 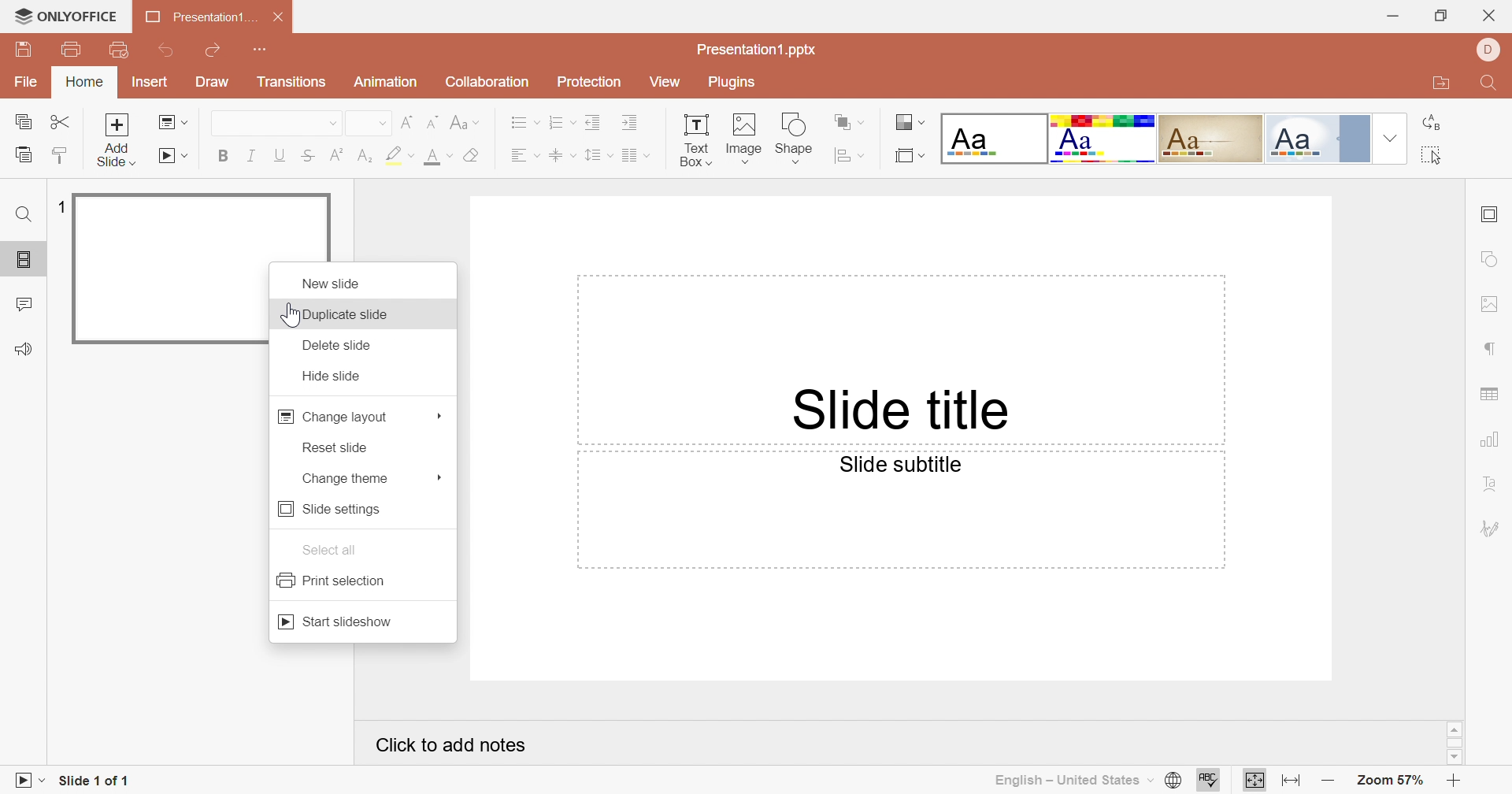 What do you see at coordinates (1212, 779) in the screenshot?
I see `Spell Checking` at bounding box center [1212, 779].